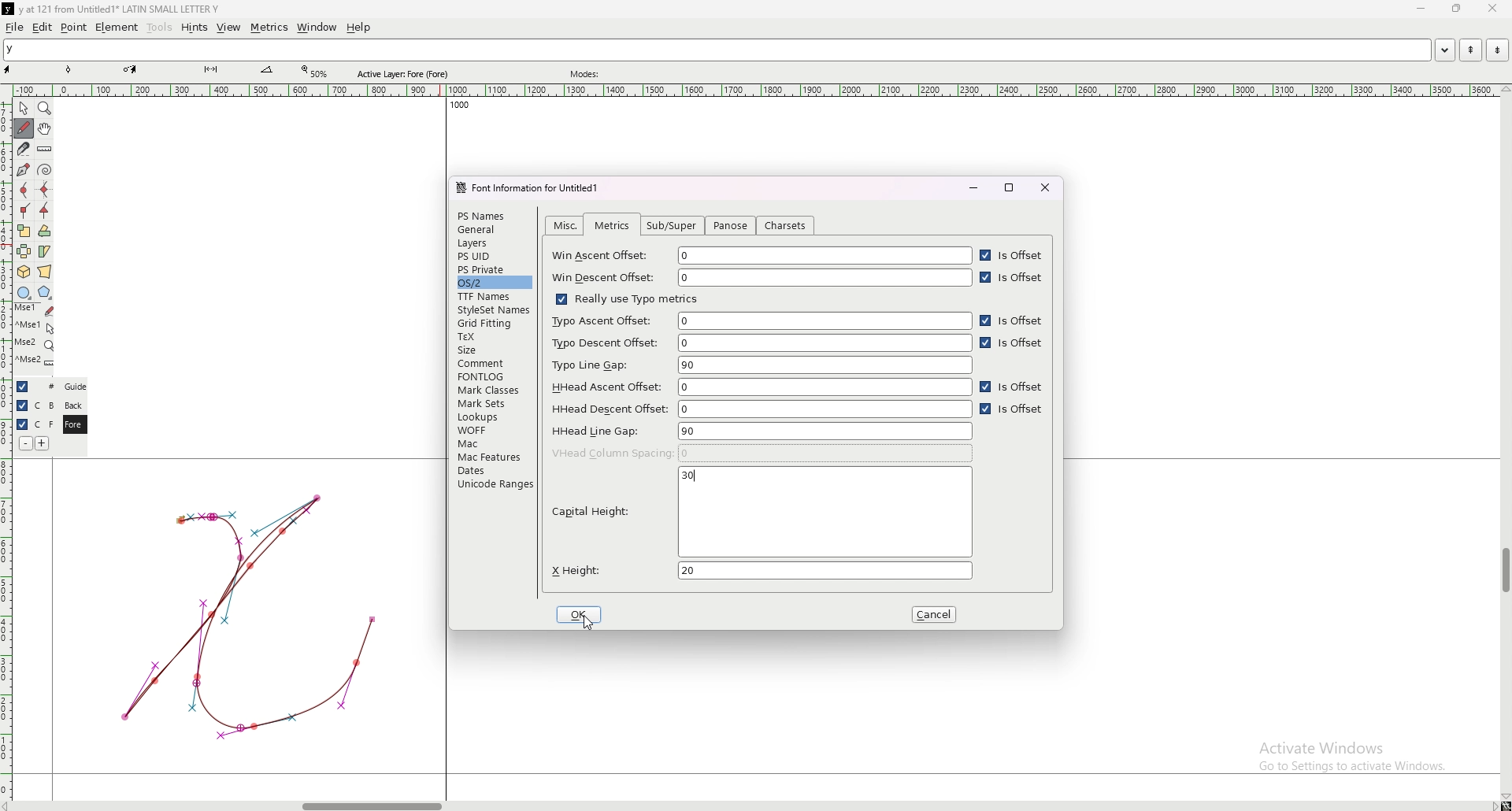 This screenshot has height=811, width=1512. What do you see at coordinates (612, 226) in the screenshot?
I see `metrics` at bounding box center [612, 226].